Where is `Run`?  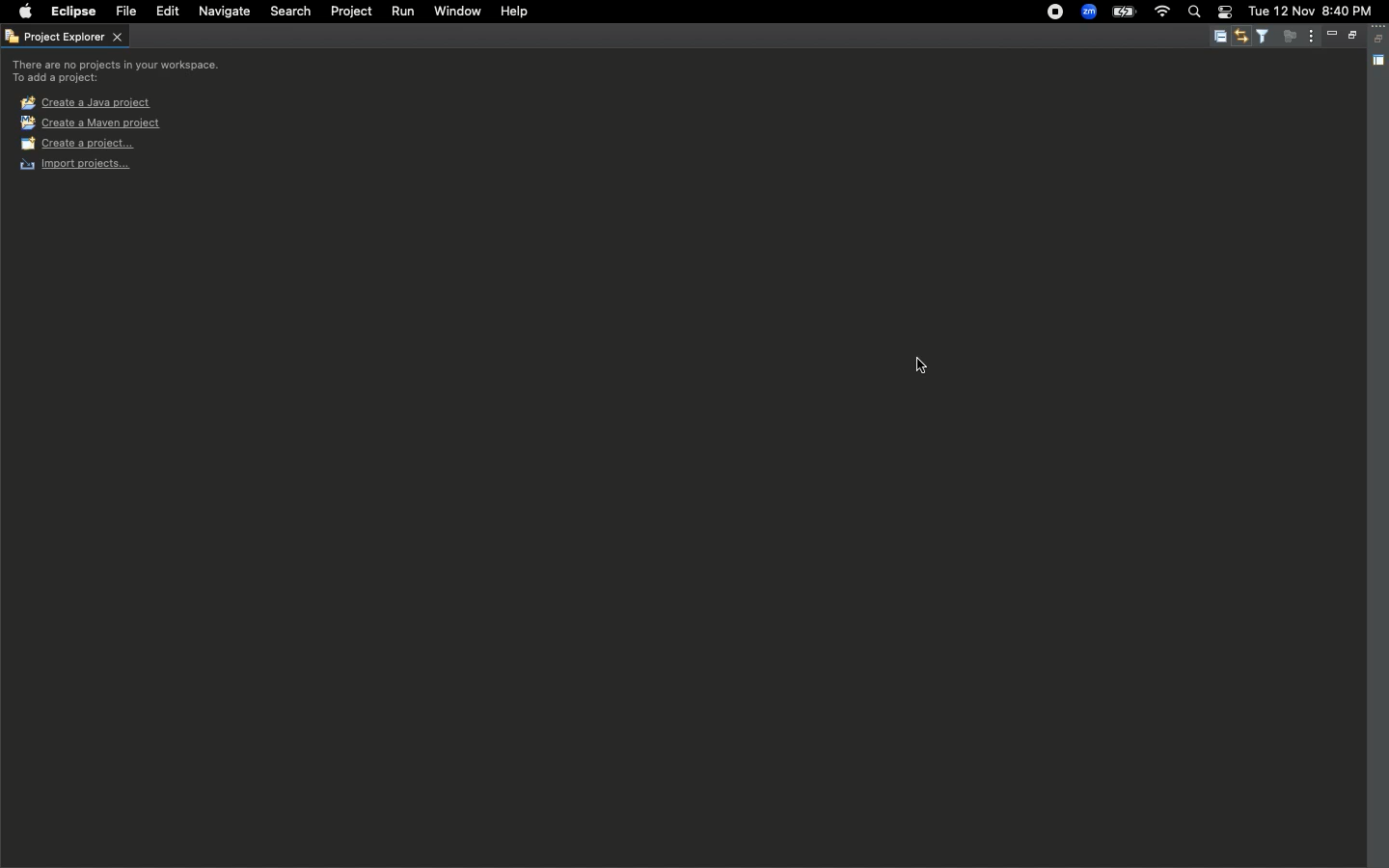
Run is located at coordinates (402, 12).